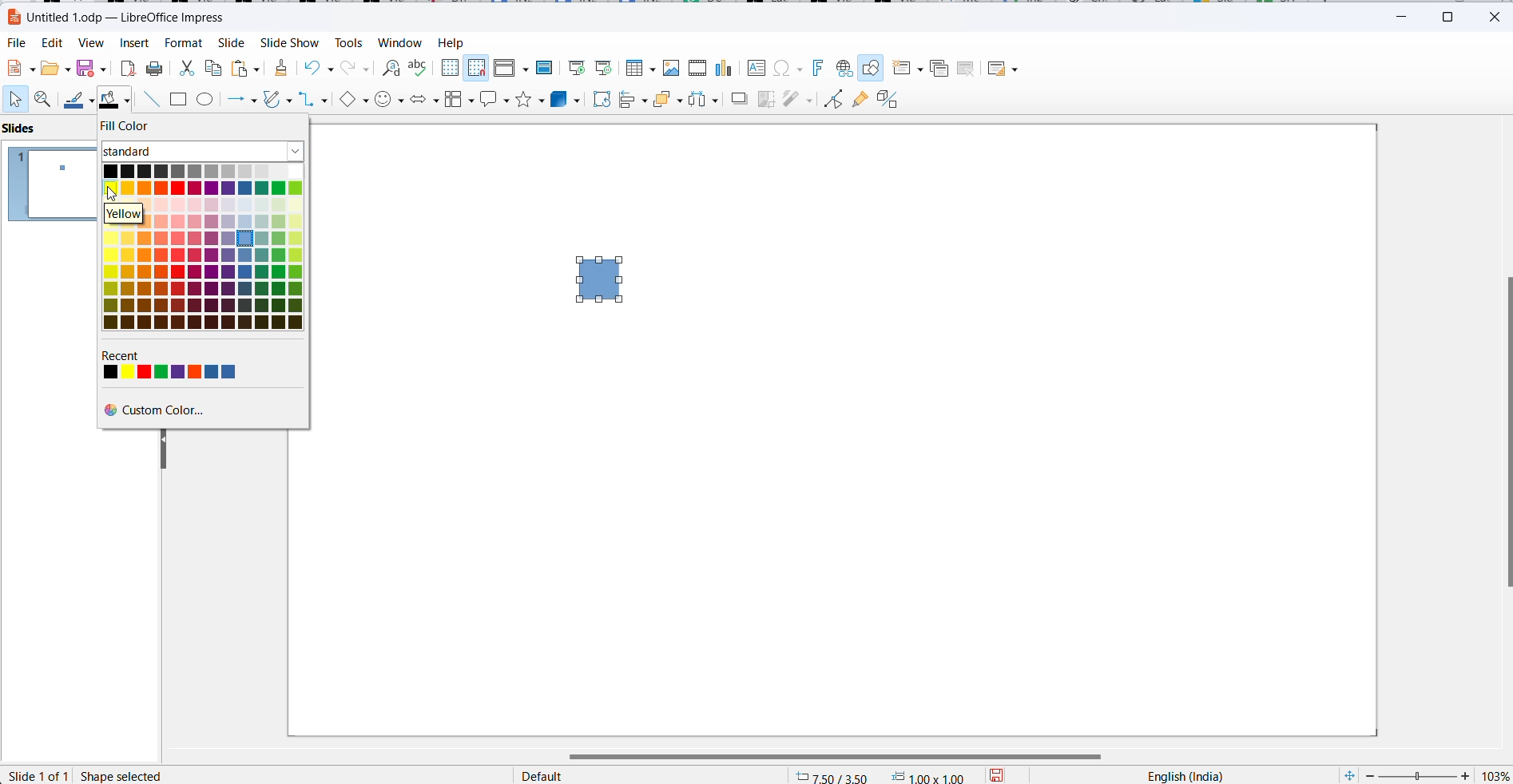 Image resolution: width=1513 pixels, height=784 pixels. I want to click on rectangle, so click(178, 101).